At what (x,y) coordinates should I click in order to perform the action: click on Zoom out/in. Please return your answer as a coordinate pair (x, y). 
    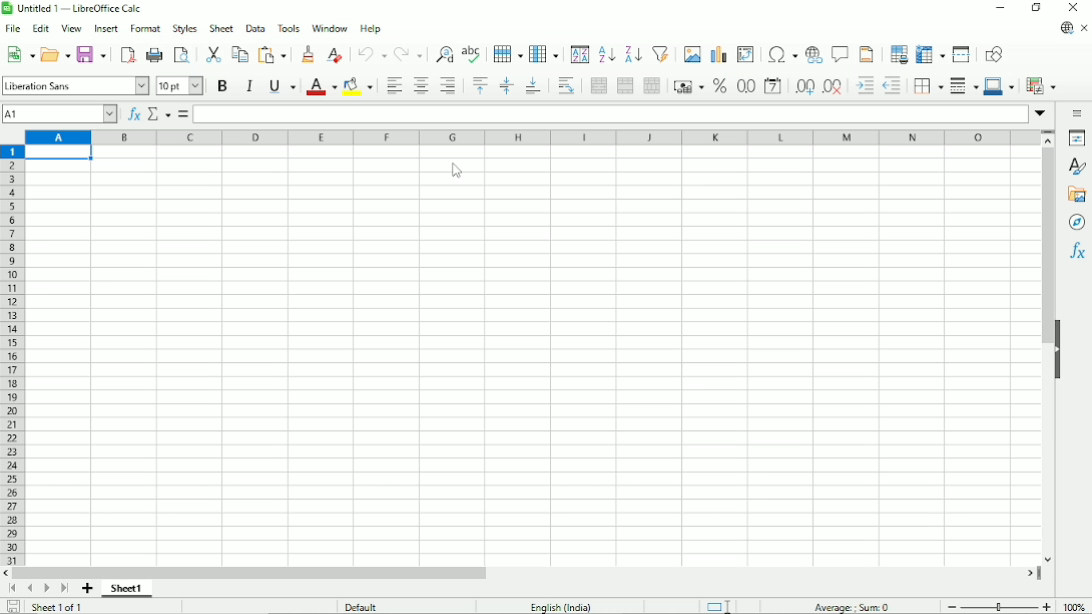
    Looking at the image, I should click on (1000, 606).